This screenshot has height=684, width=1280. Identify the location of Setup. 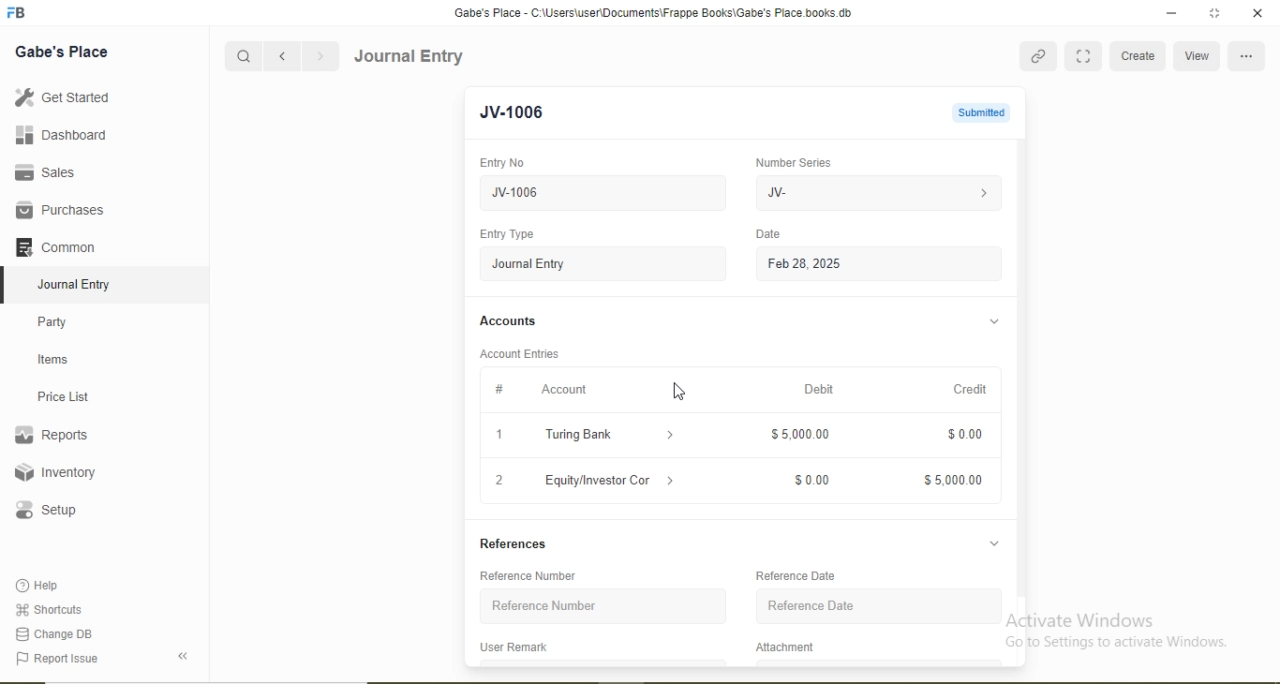
(45, 510).